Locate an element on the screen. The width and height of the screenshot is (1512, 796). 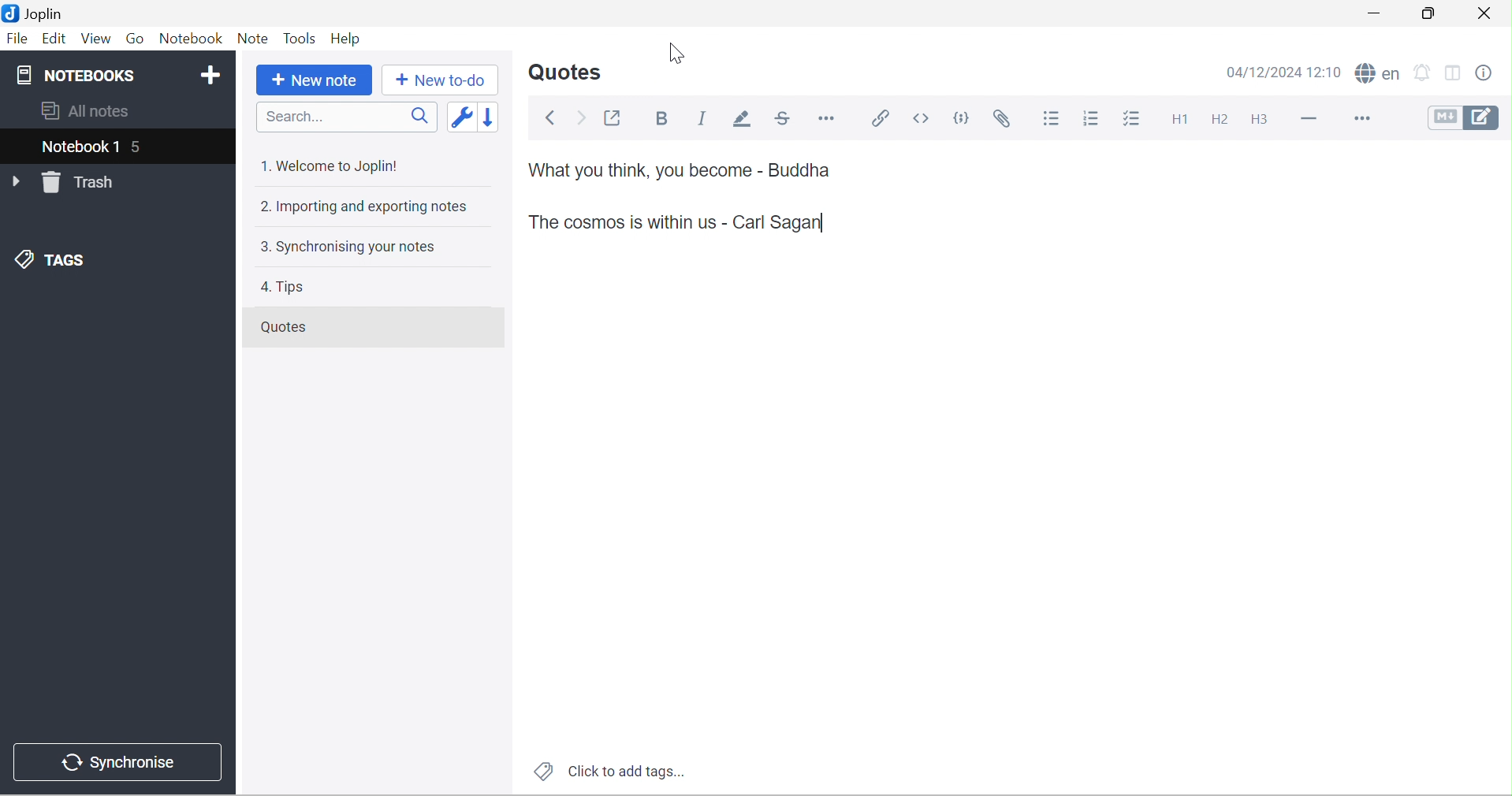
Back is located at coordinates (553, 117).